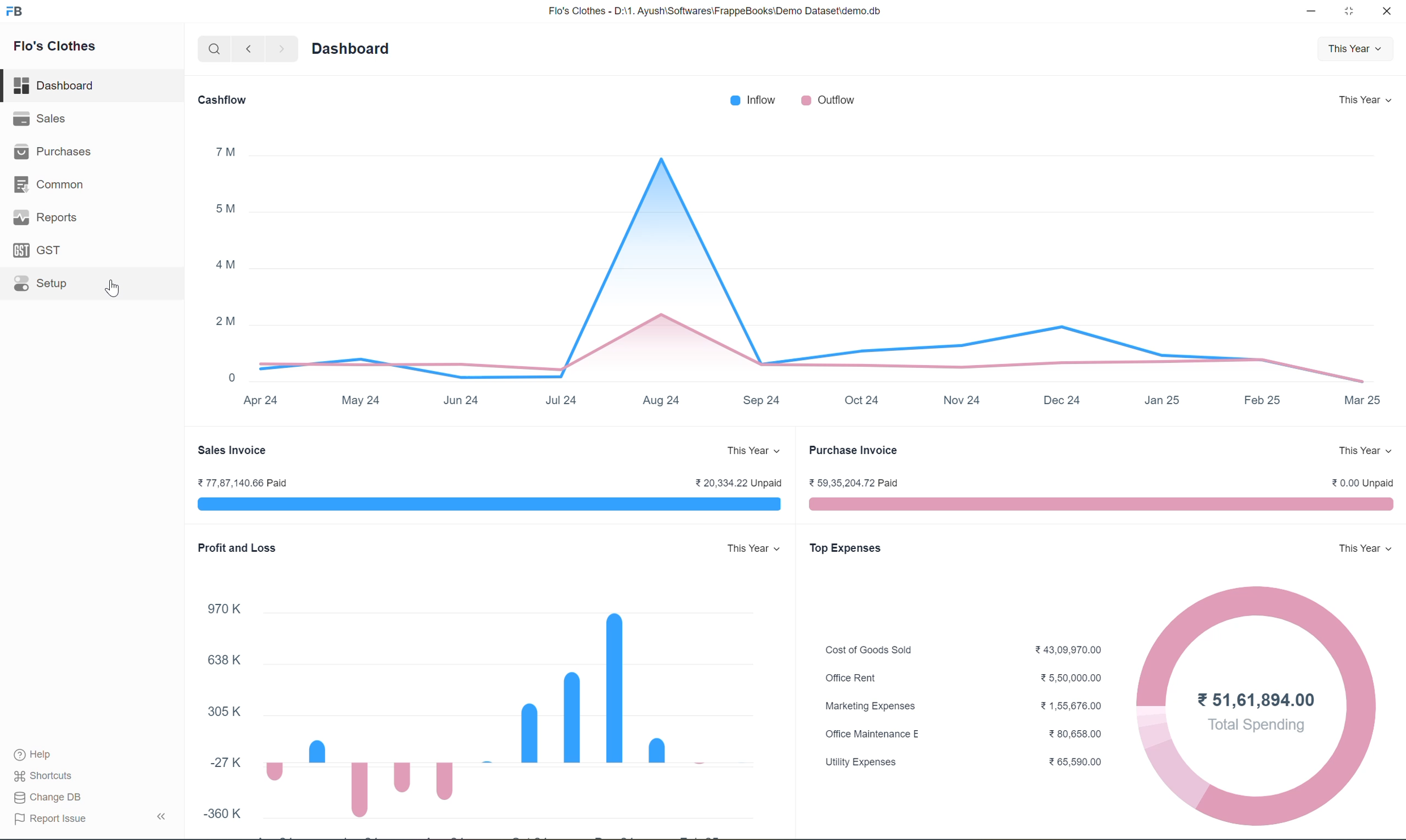 Image resolution: width=1406 pixels, height=840 pixels. What do you see at coordinates (490, 503) in the screenshot?
I see `sales invoice visualization` at bounding box center [490, 503].